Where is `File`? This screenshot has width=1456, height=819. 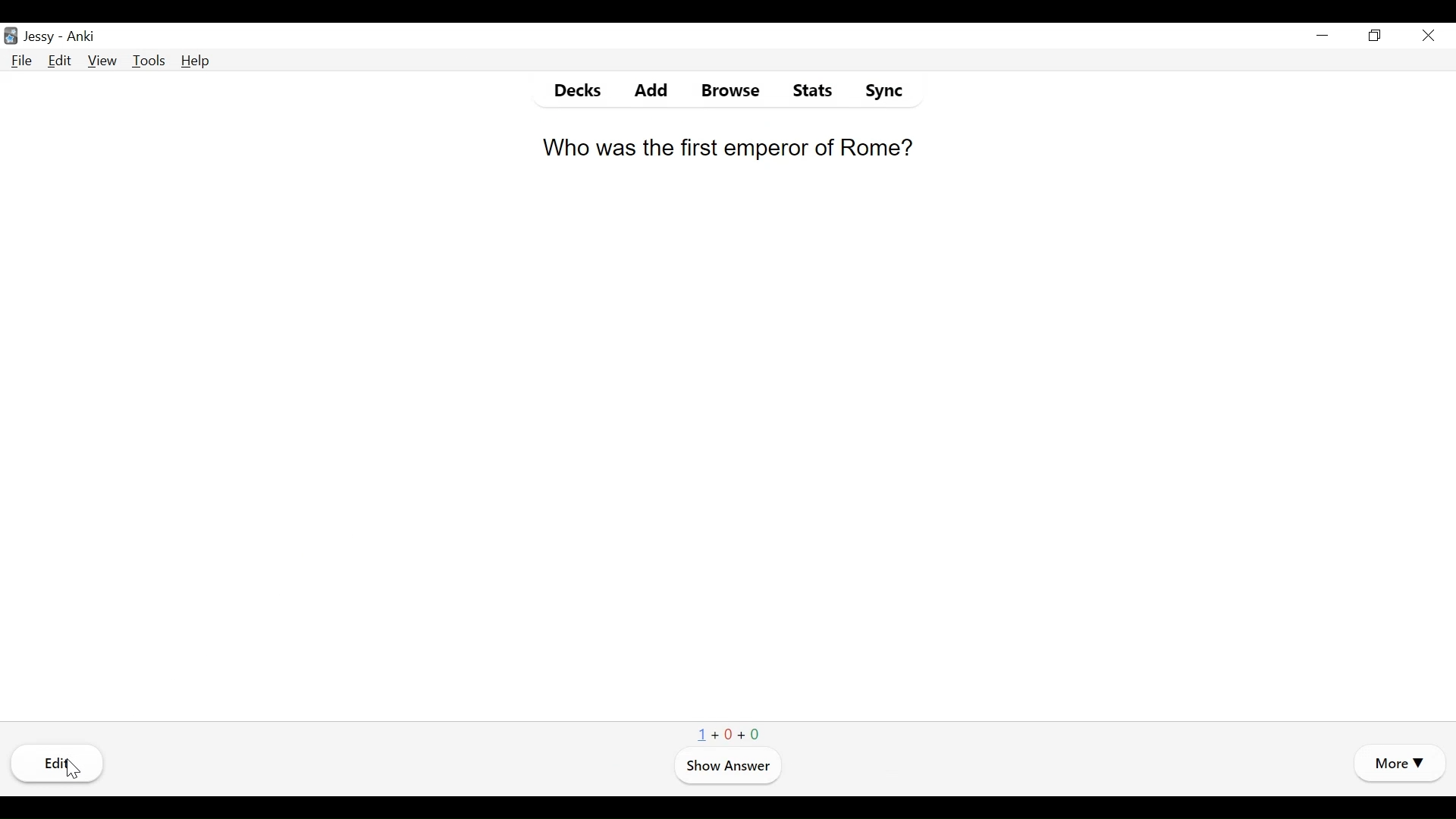
File is located at coordinates (21, 61).